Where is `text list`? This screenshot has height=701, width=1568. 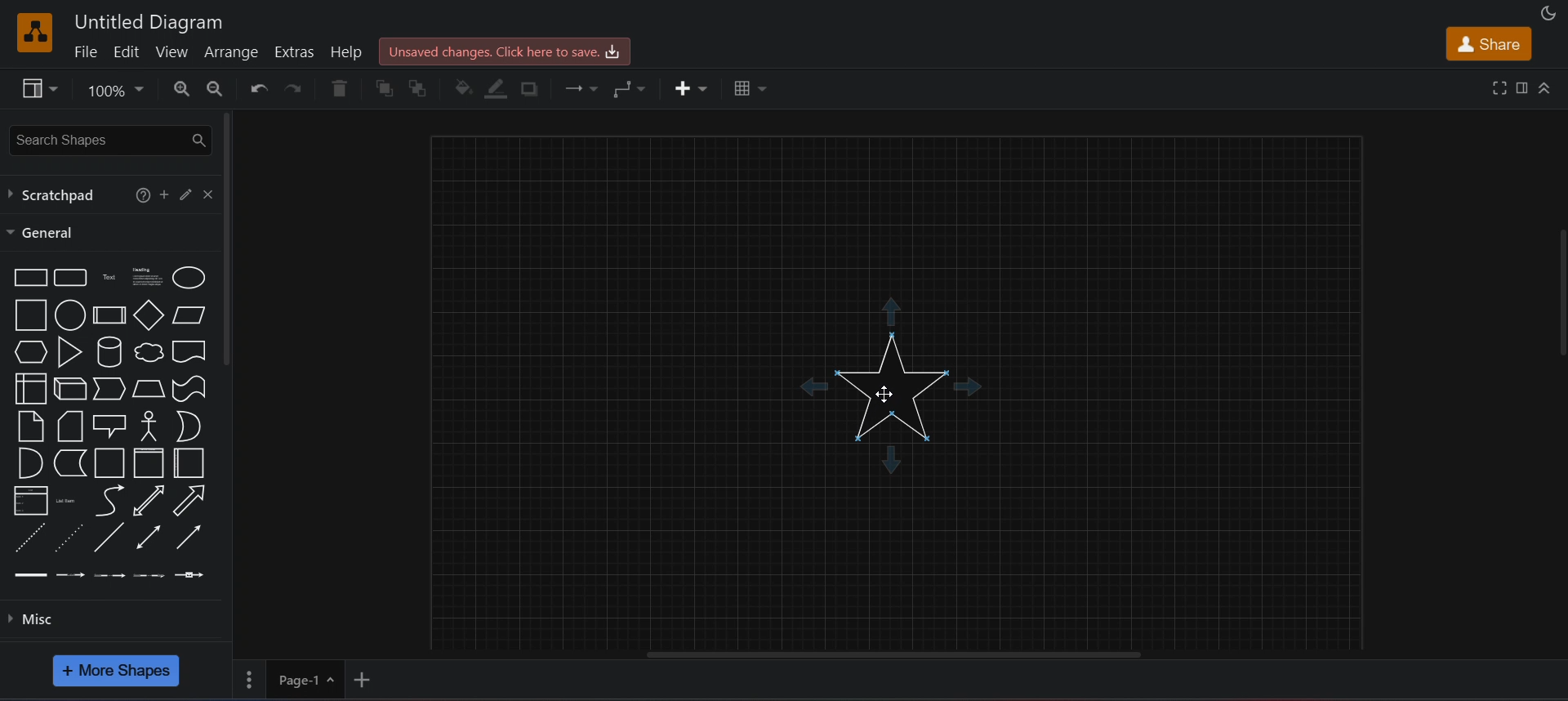
text list is located at coordinates (68, 502).